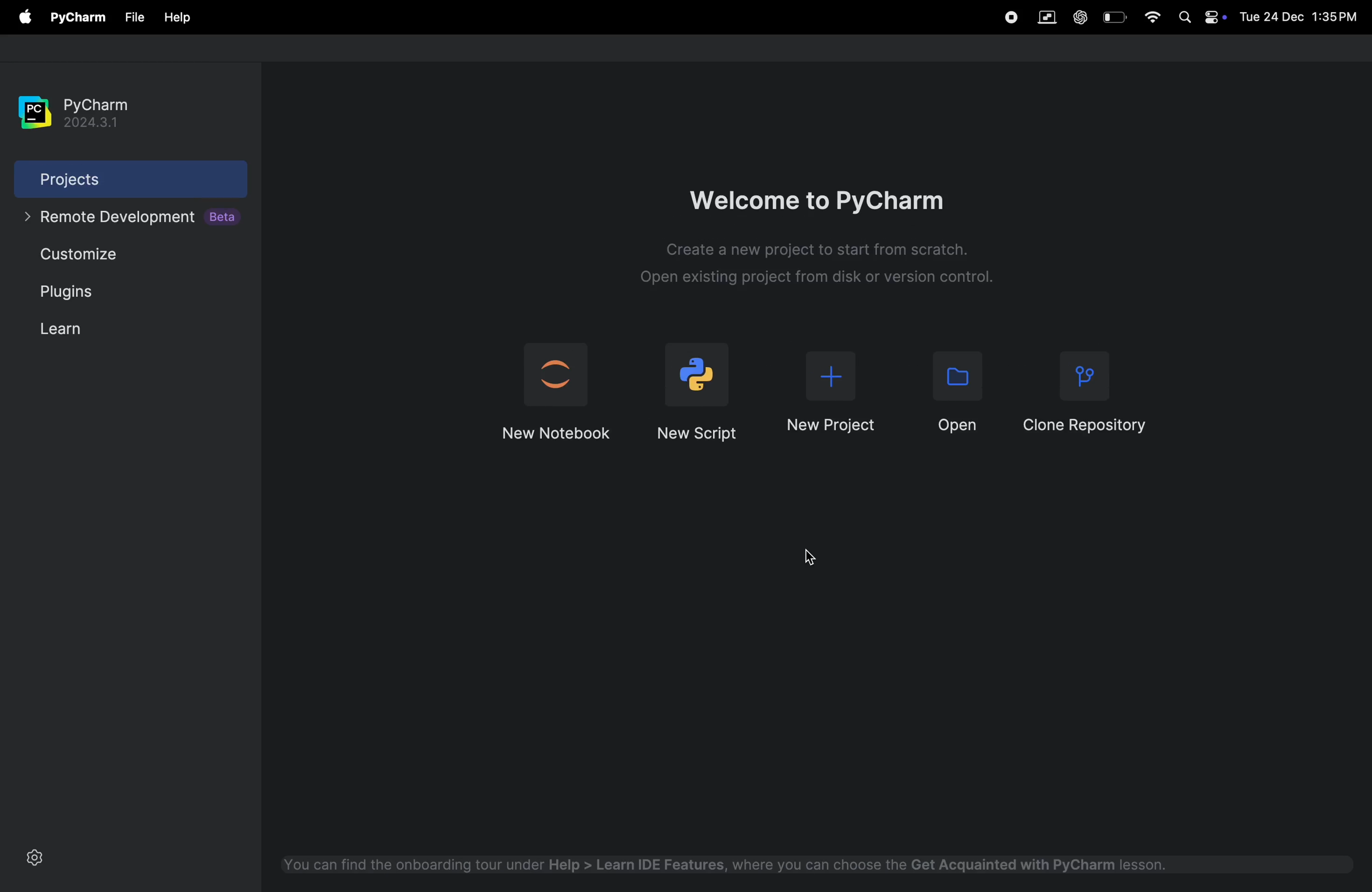 The height and width of the screenshot is (892, 1372). What do you see at coordinates (828, 191) in the screenshot?
I see `wlecome to pycharm` at bounding box center [828, 191].